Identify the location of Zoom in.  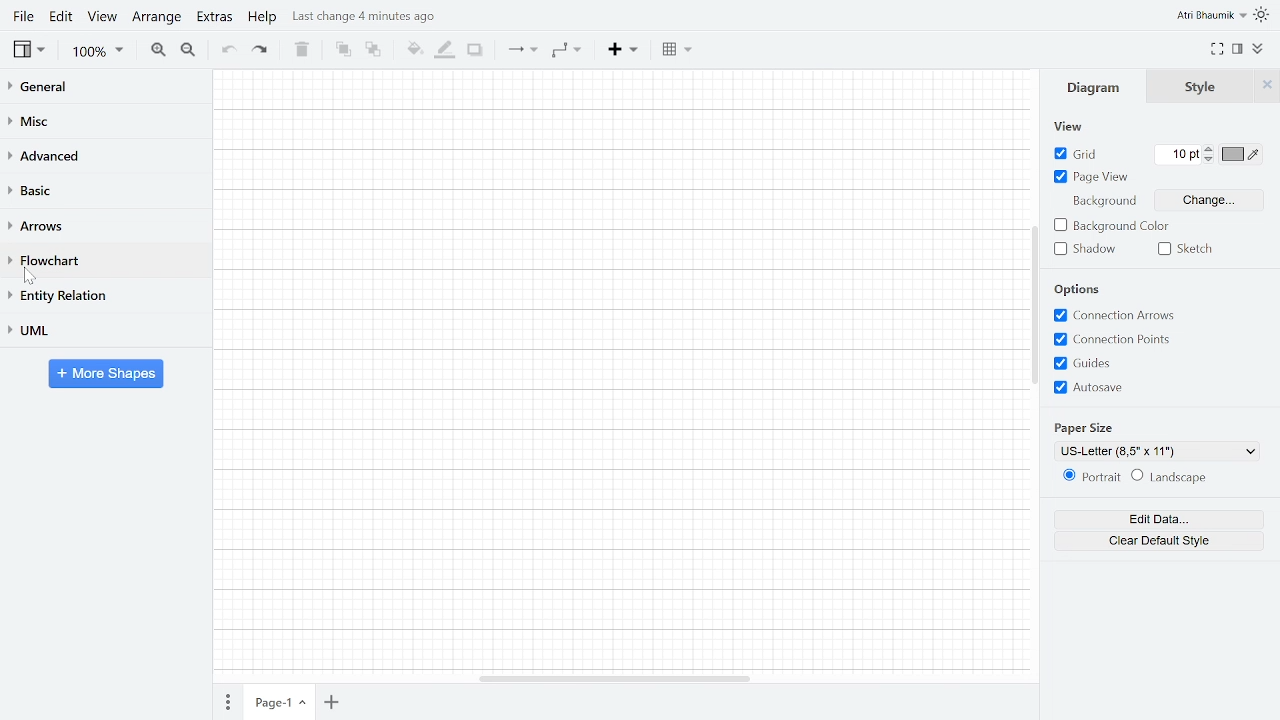
(159, 50).